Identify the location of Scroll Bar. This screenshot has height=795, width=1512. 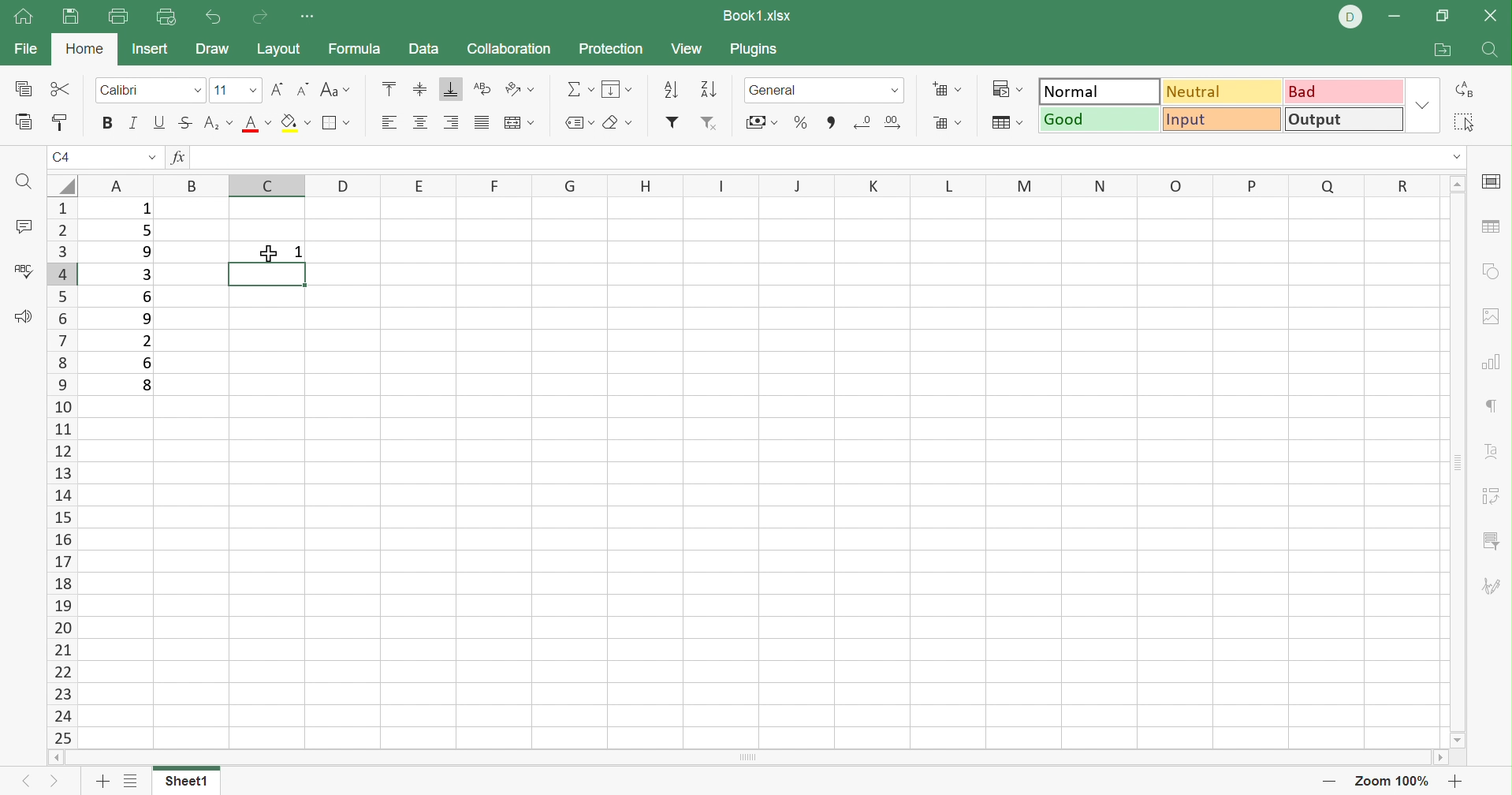
(744, 758).